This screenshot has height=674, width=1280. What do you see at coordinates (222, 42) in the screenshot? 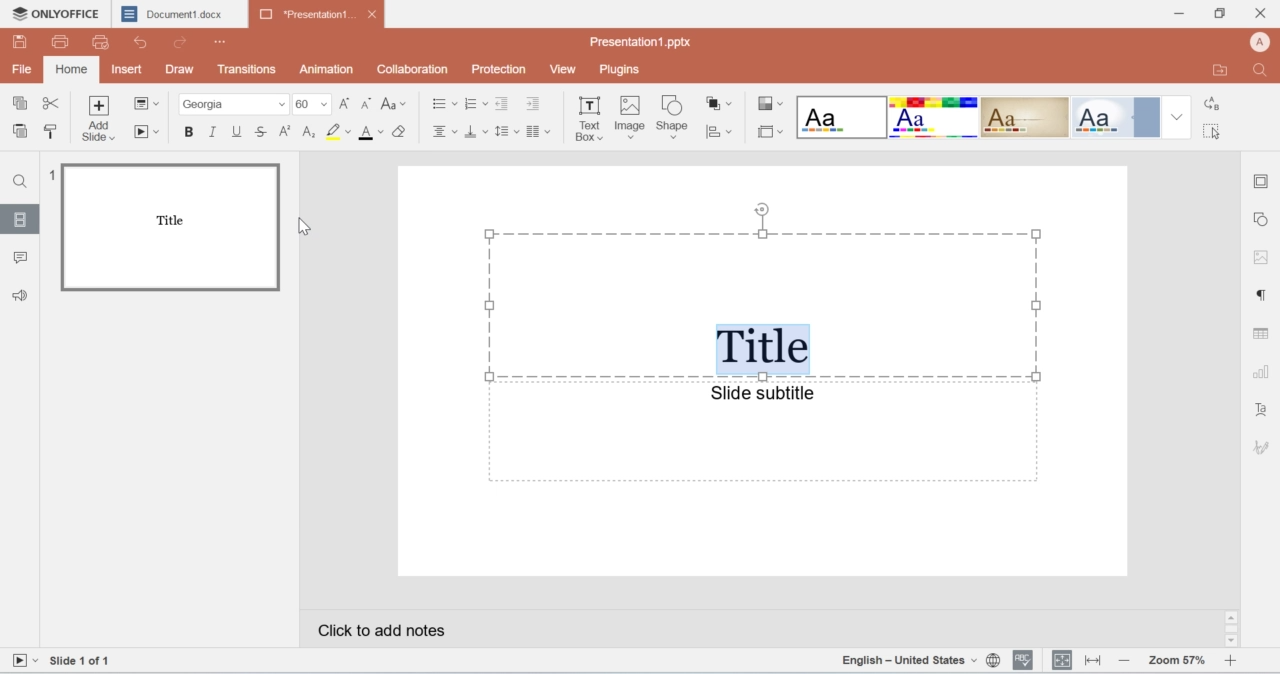
I see `Menu` at bounding box center [222, 42].